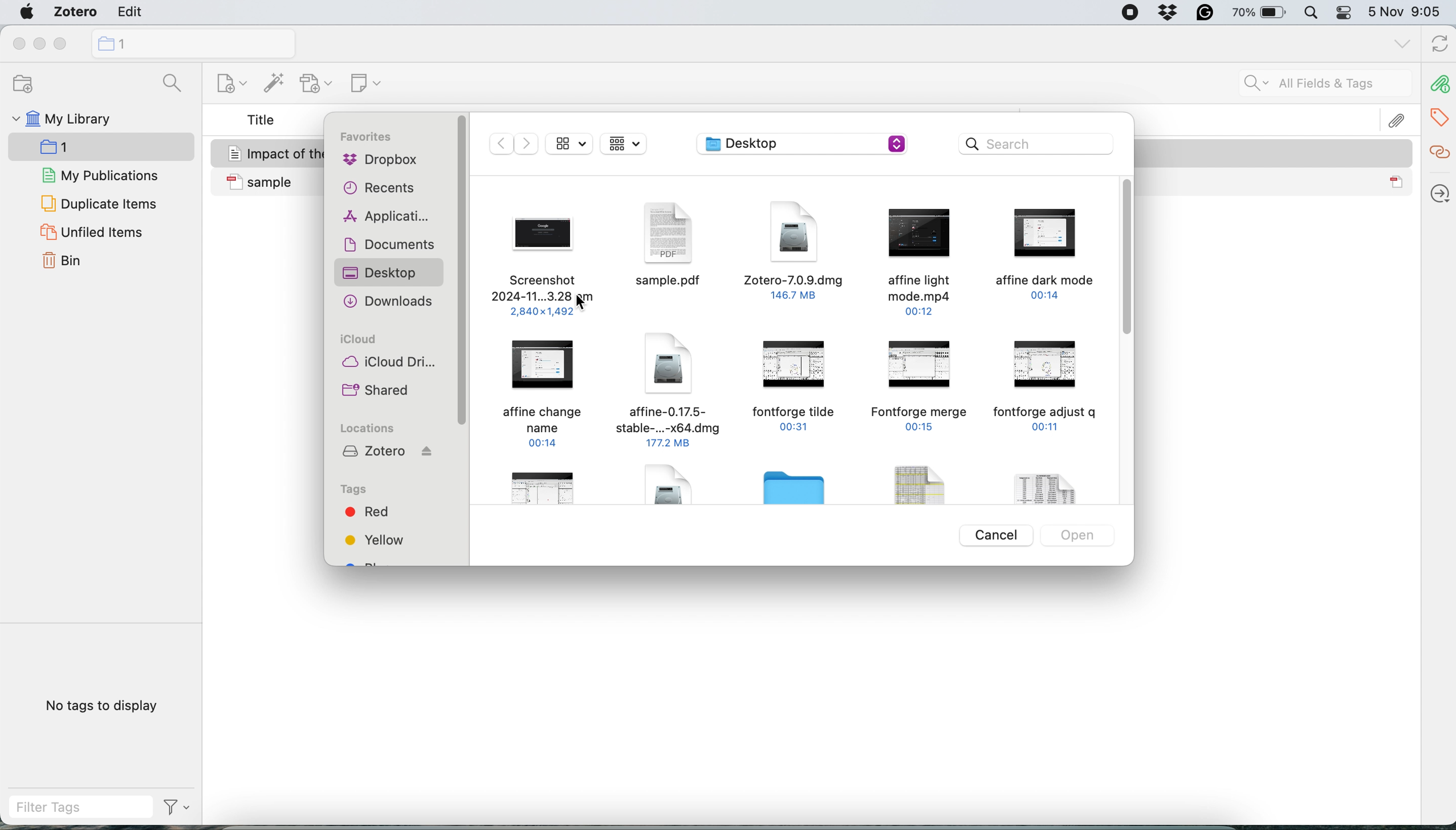 The width and height of the screenshot is (1456, 830). Describe the element at coordinates (91, 233) in the screenshot. I see `unfiled items` at that location.